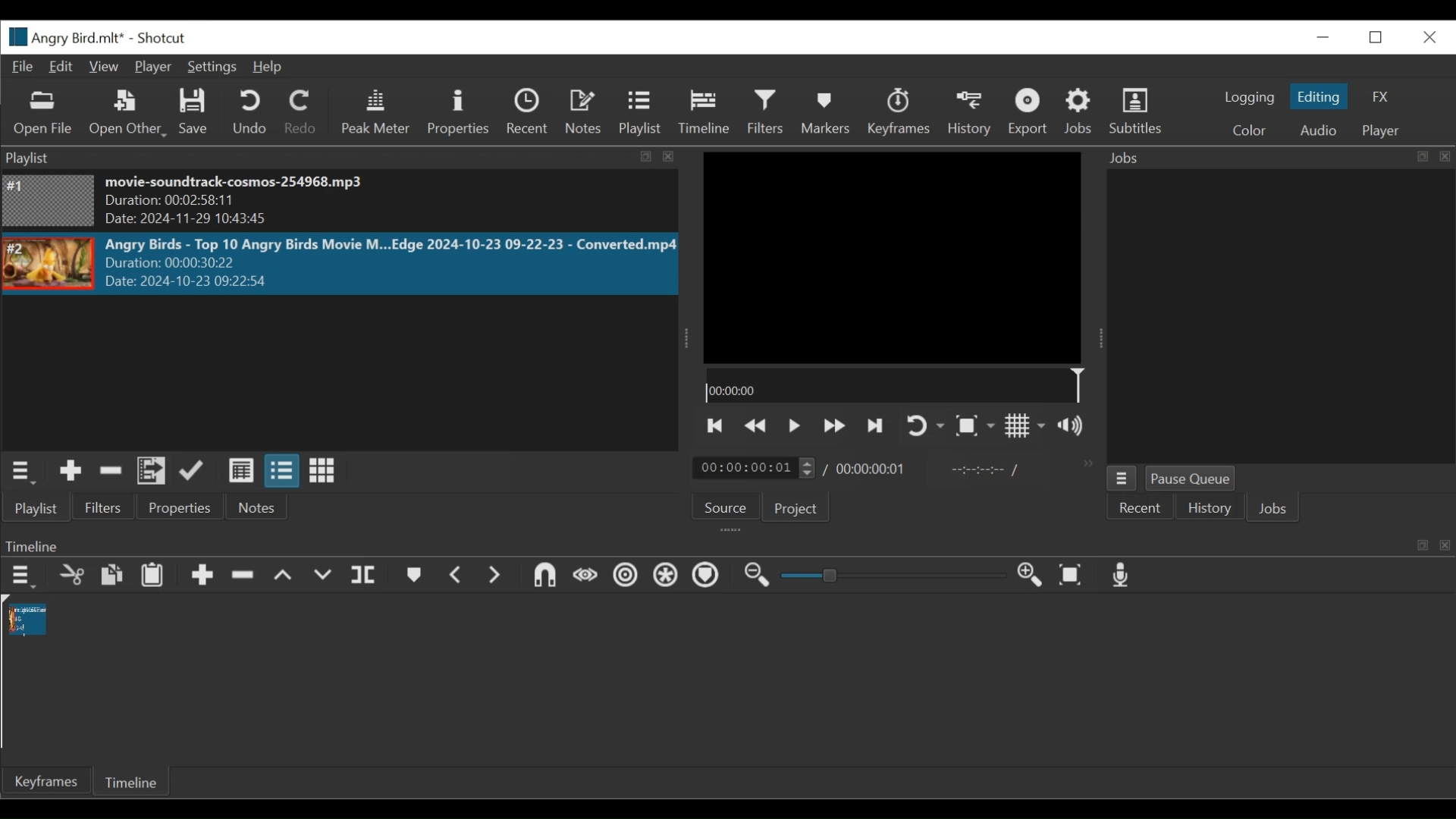 The image size is (1456, 819). I want to click on Player, so click(151, 67).